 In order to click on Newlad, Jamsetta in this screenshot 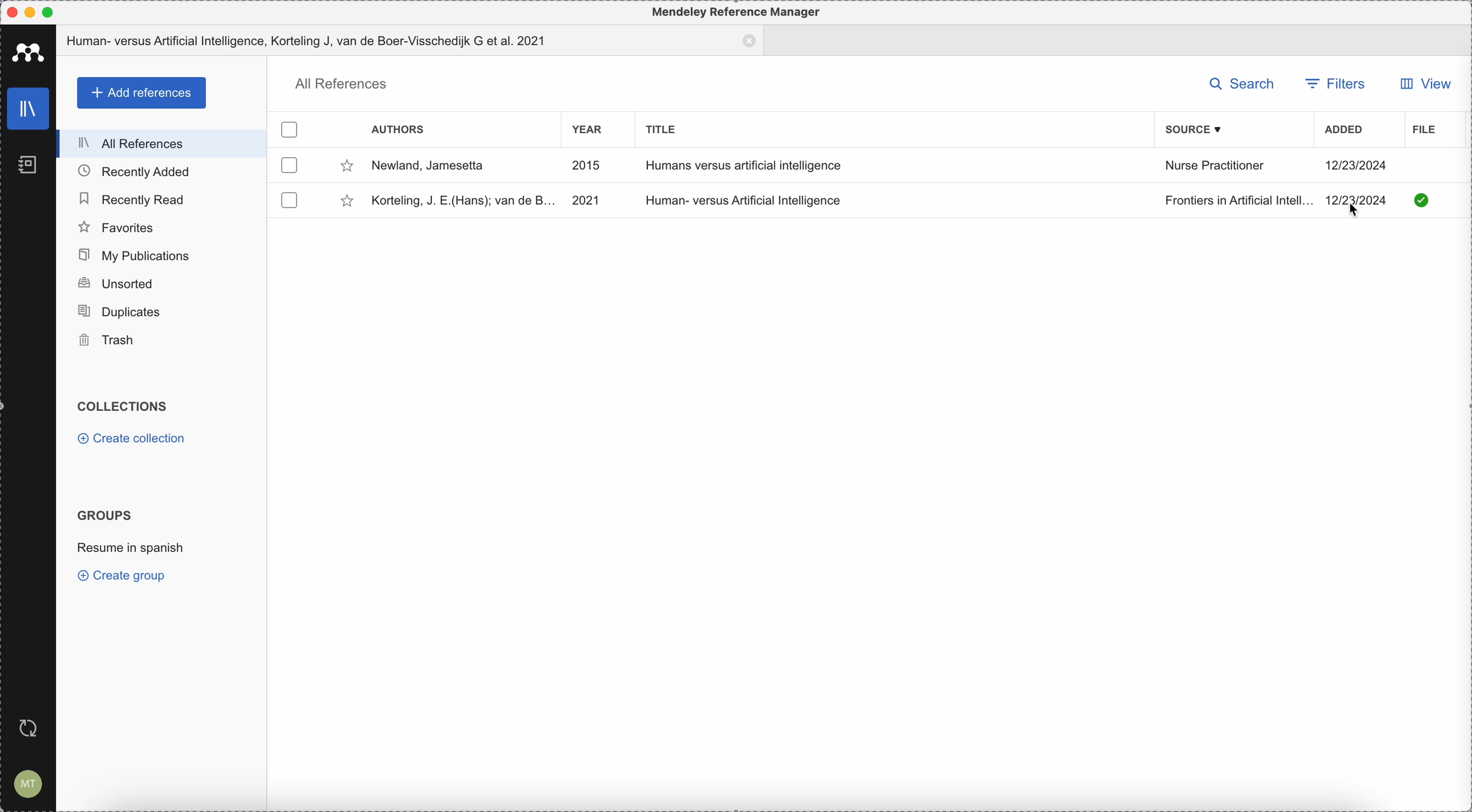, I will do `click(427, 166)`.